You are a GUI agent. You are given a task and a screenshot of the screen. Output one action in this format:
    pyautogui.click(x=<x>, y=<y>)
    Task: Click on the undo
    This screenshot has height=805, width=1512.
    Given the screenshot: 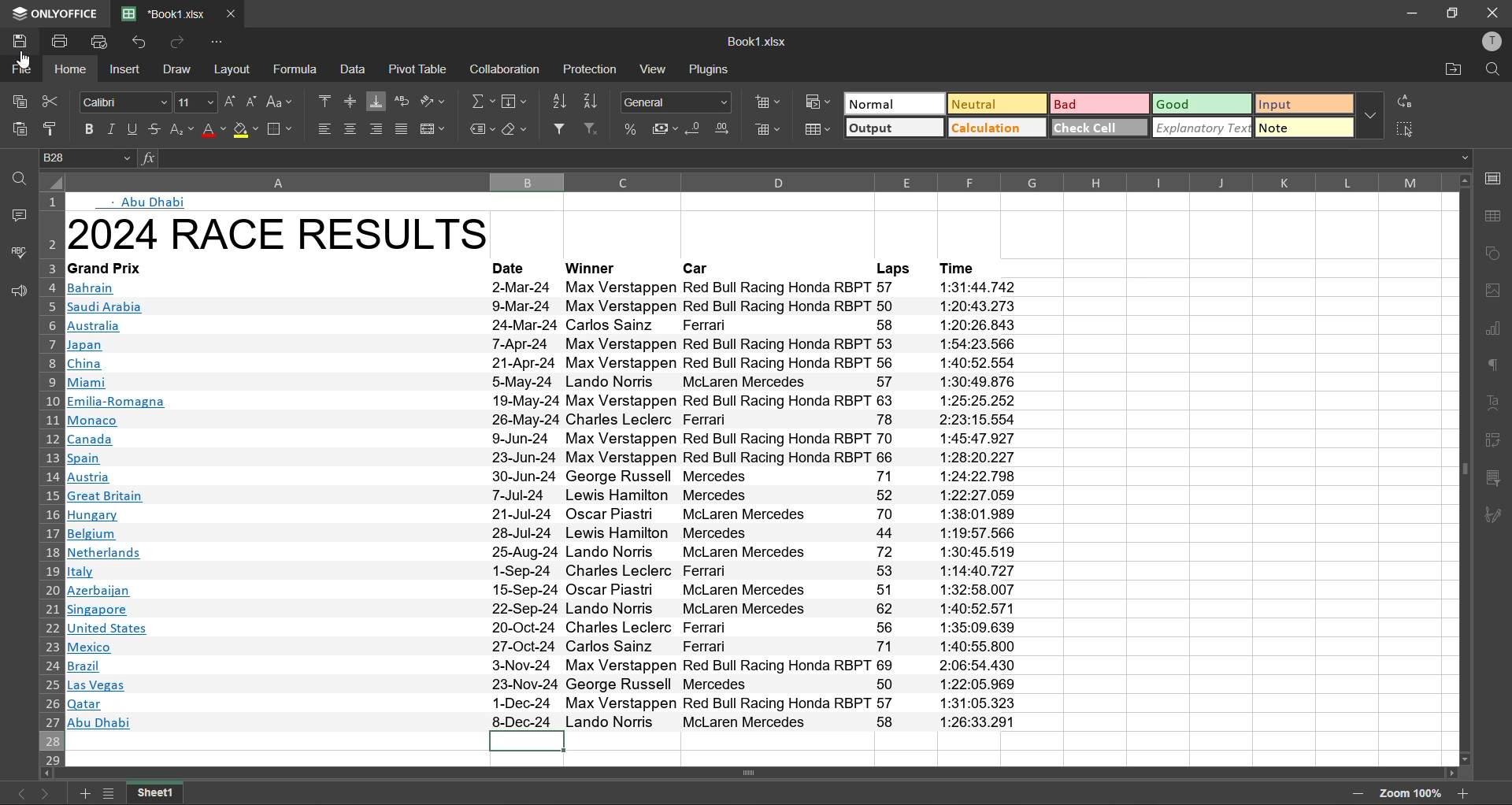 What is the action you would take?
    pyautogui.click(x=142, y=42)
    